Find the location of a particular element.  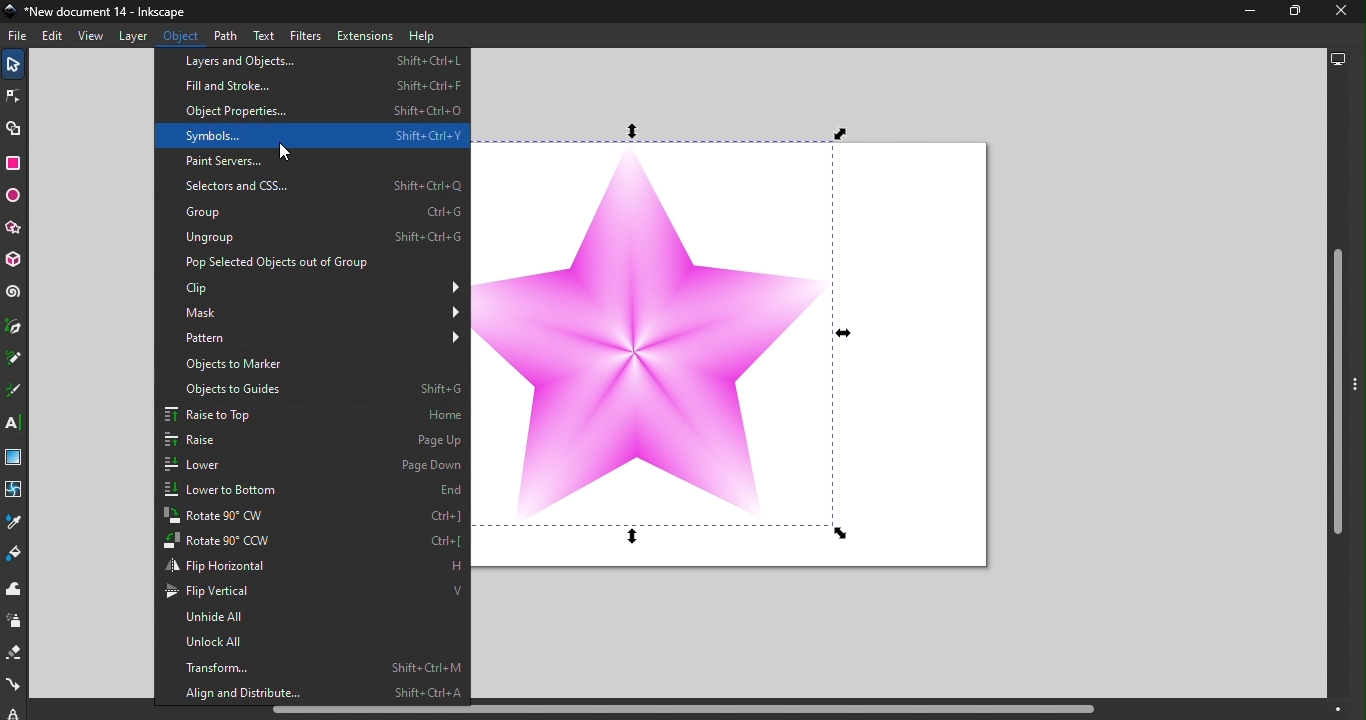

toggle command panel is located at coordinates (1357, 387).